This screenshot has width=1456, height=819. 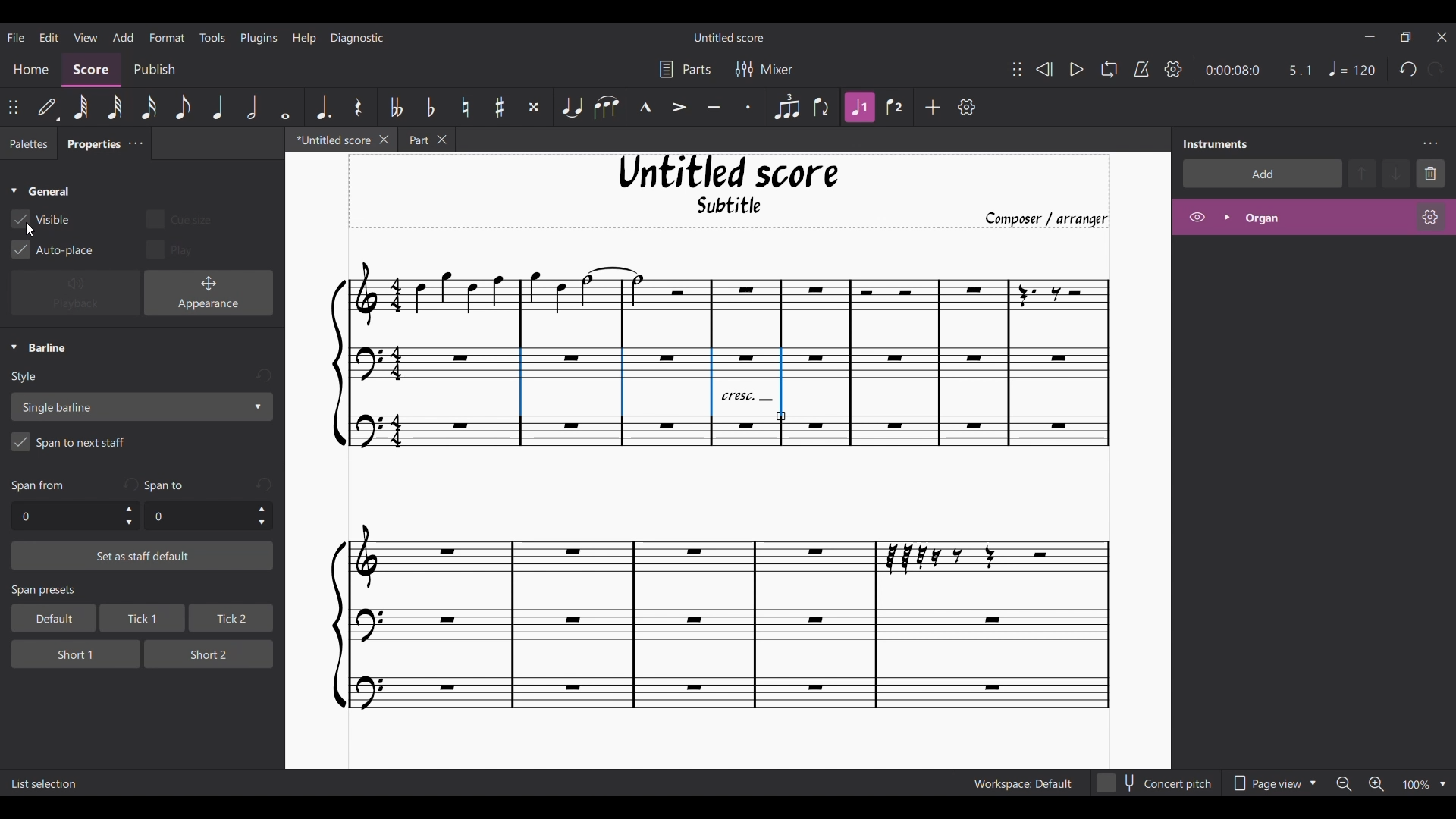 What do you see at coordinates (1430, 217) in the screenshot?
I see `Organ settings` at bounding box center [1430, 217].